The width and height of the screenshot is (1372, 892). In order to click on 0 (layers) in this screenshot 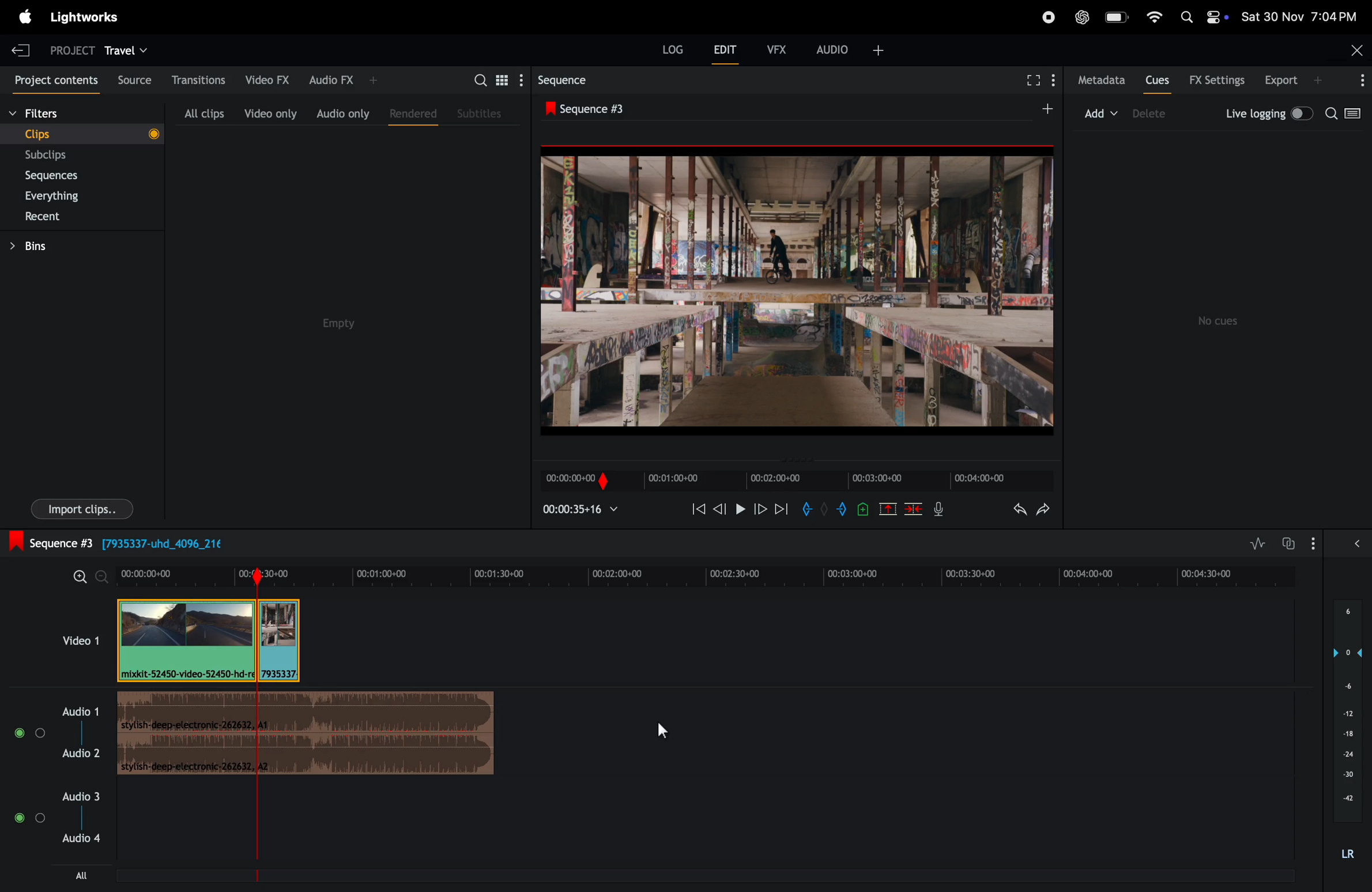, I will do `click(1343, 652)`.